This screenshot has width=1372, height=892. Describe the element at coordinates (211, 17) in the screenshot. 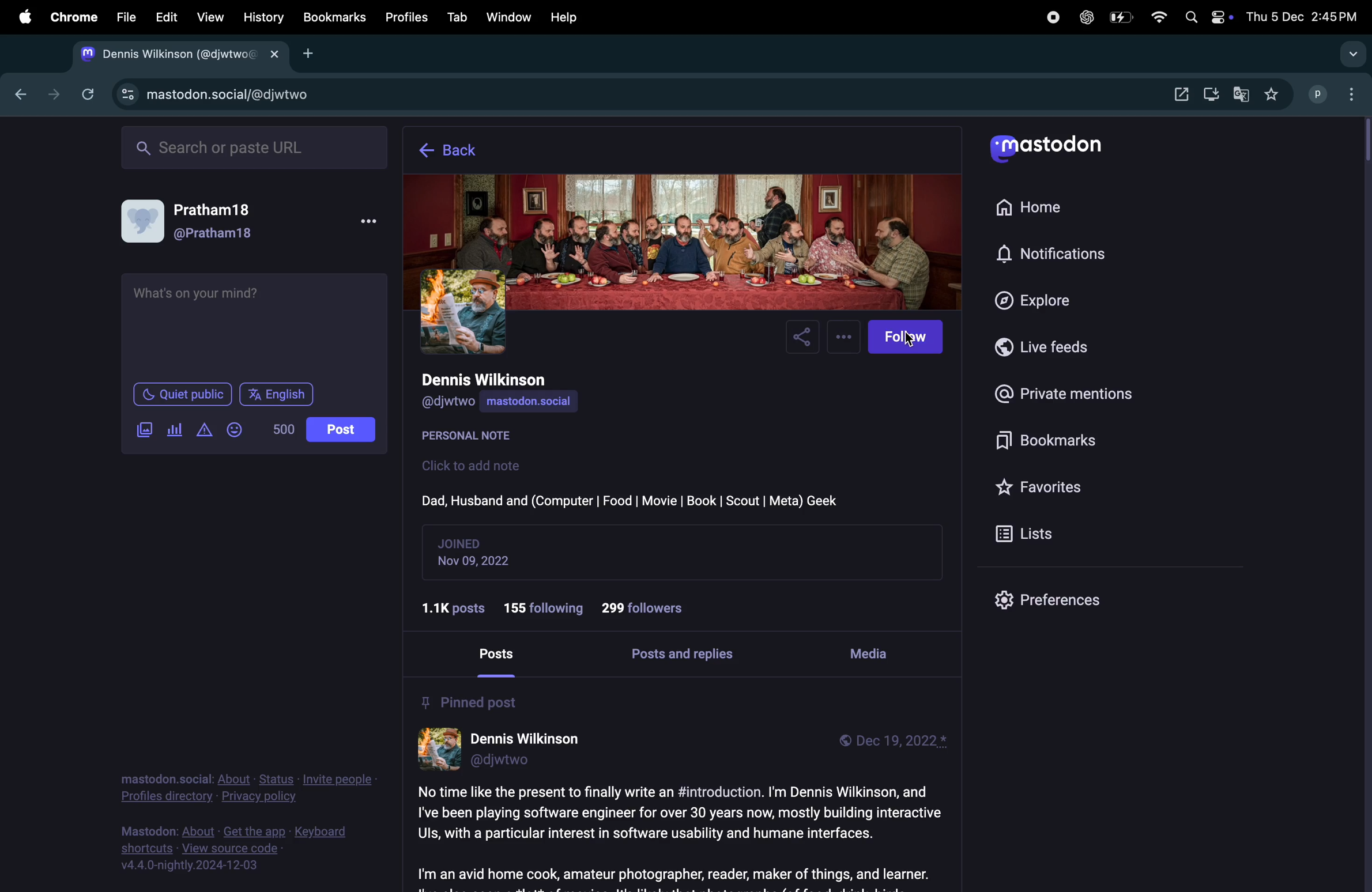

I see `view` at that location.